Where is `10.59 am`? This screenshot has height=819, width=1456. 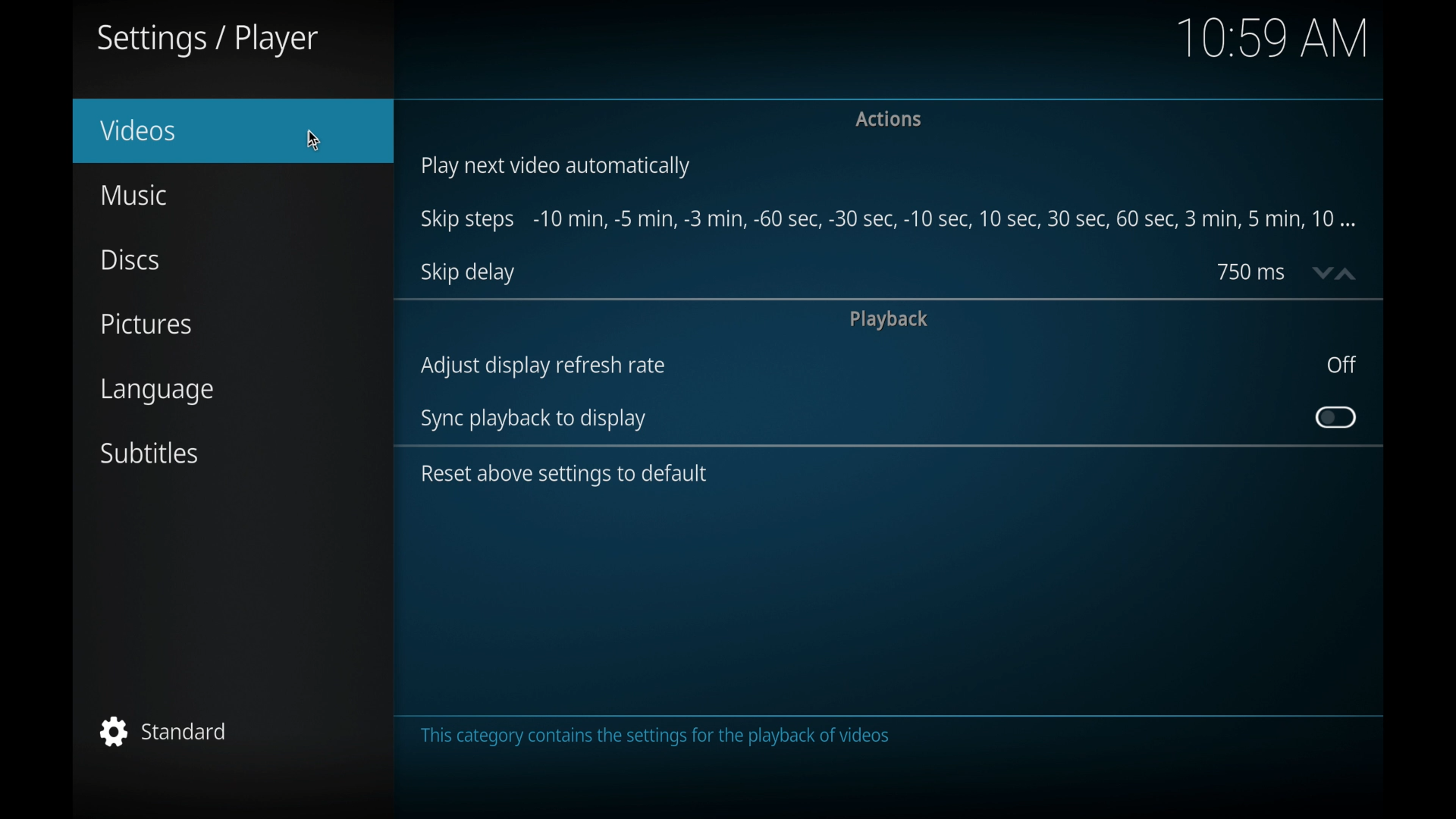
10.59 am is located at coordinates (1271, 39).